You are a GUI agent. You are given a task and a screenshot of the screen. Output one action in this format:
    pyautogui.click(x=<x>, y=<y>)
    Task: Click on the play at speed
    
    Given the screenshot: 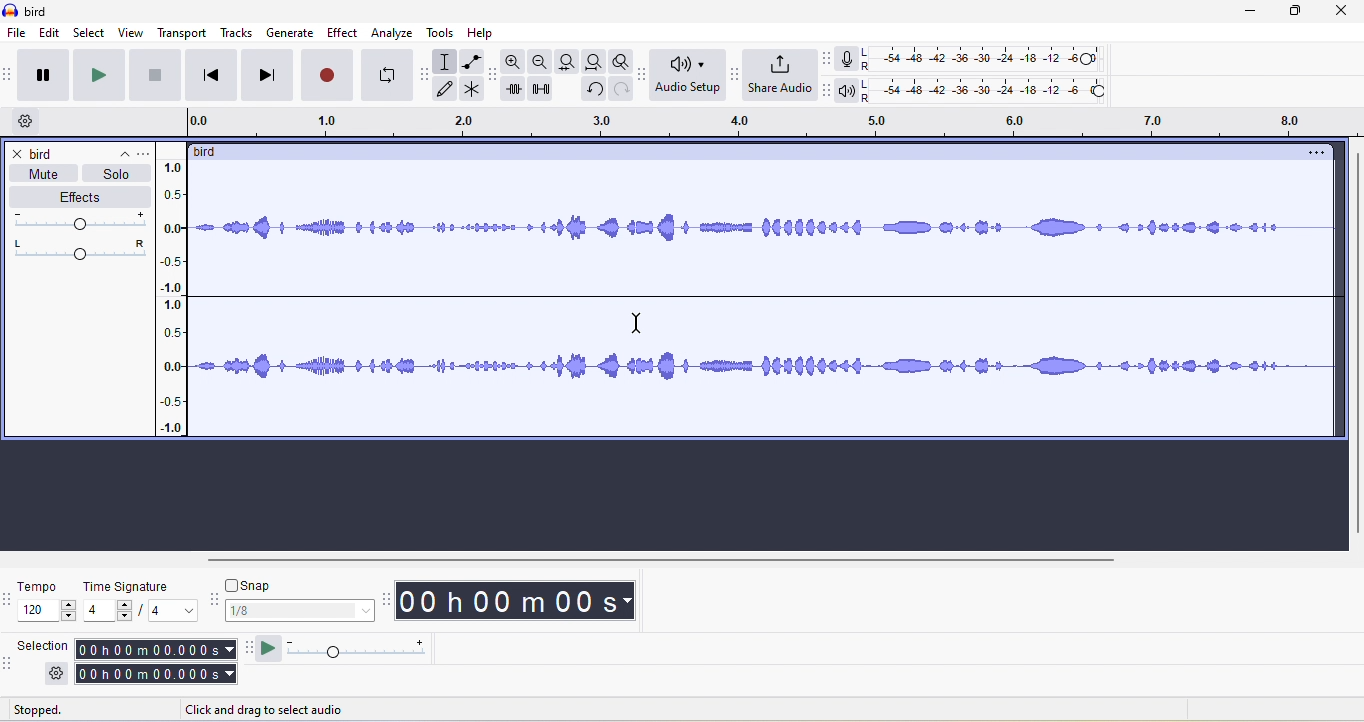 What is the action you would take?
    pyautogui.click(x=268, y=650)
    